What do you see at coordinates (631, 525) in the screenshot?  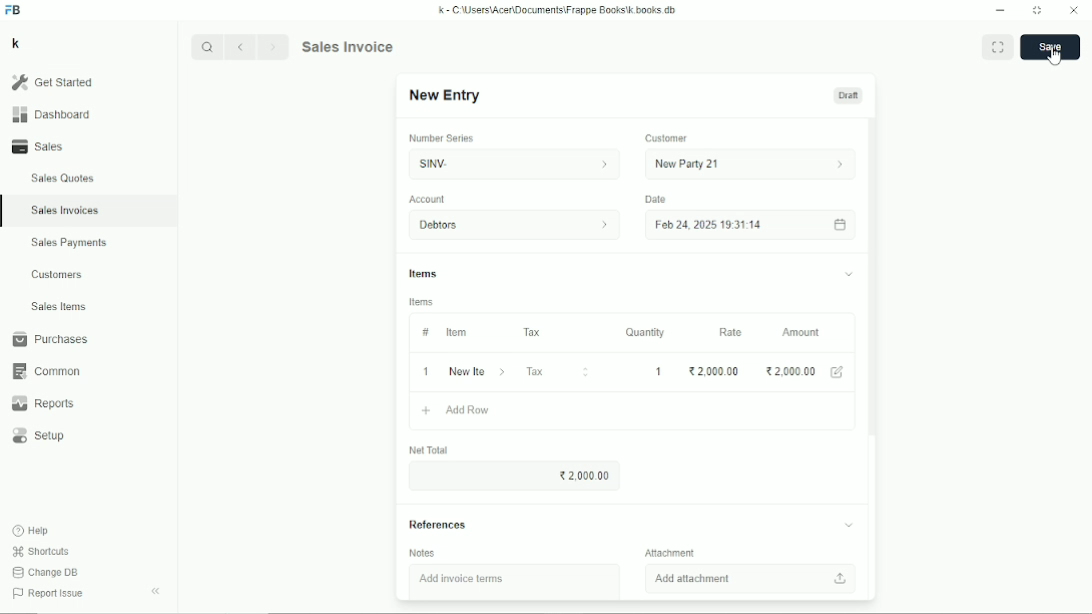 I see `References` at bounding box center [631, 525].